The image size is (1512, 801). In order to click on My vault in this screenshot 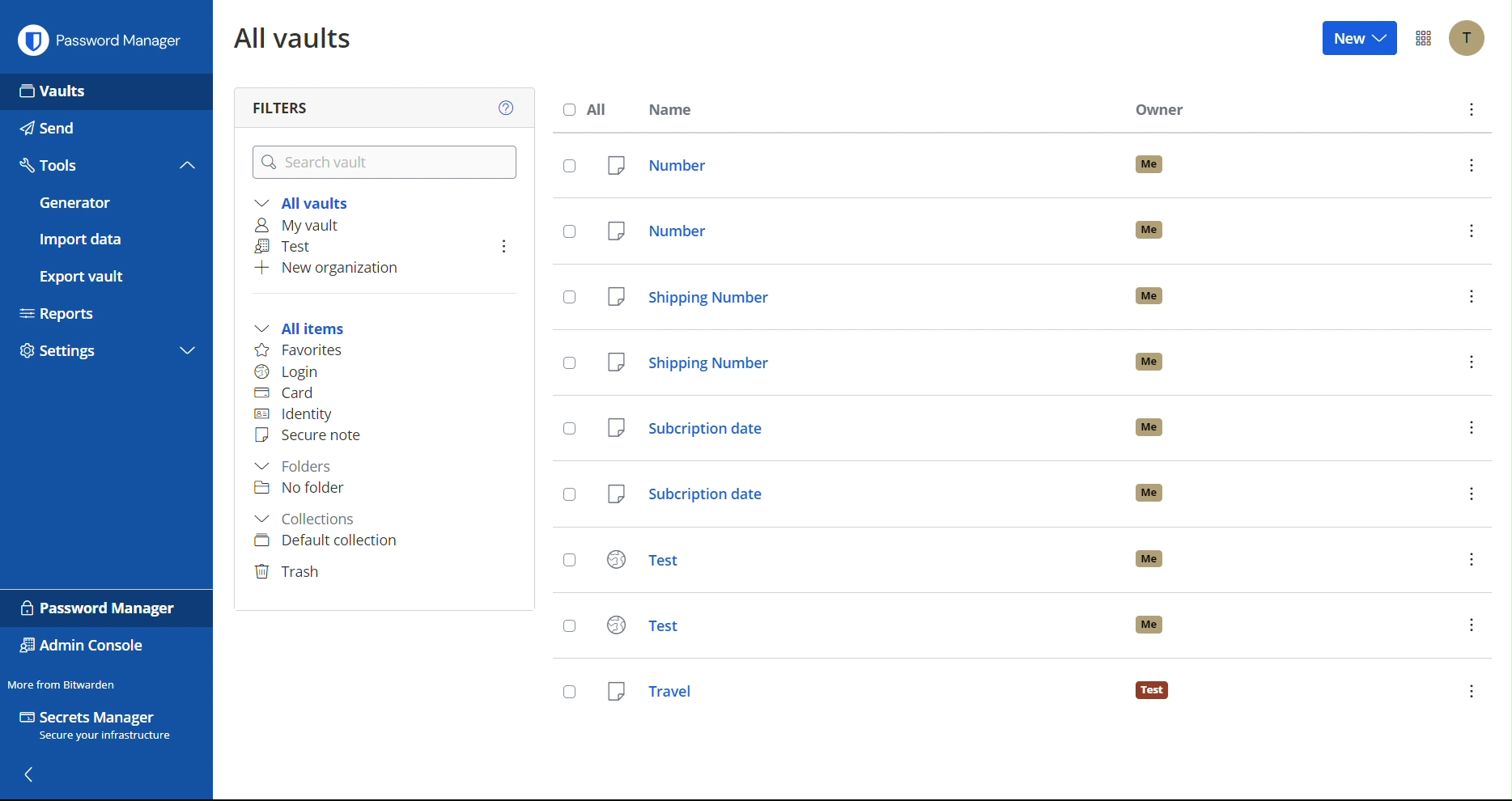, I will do `click(301, 225)`.